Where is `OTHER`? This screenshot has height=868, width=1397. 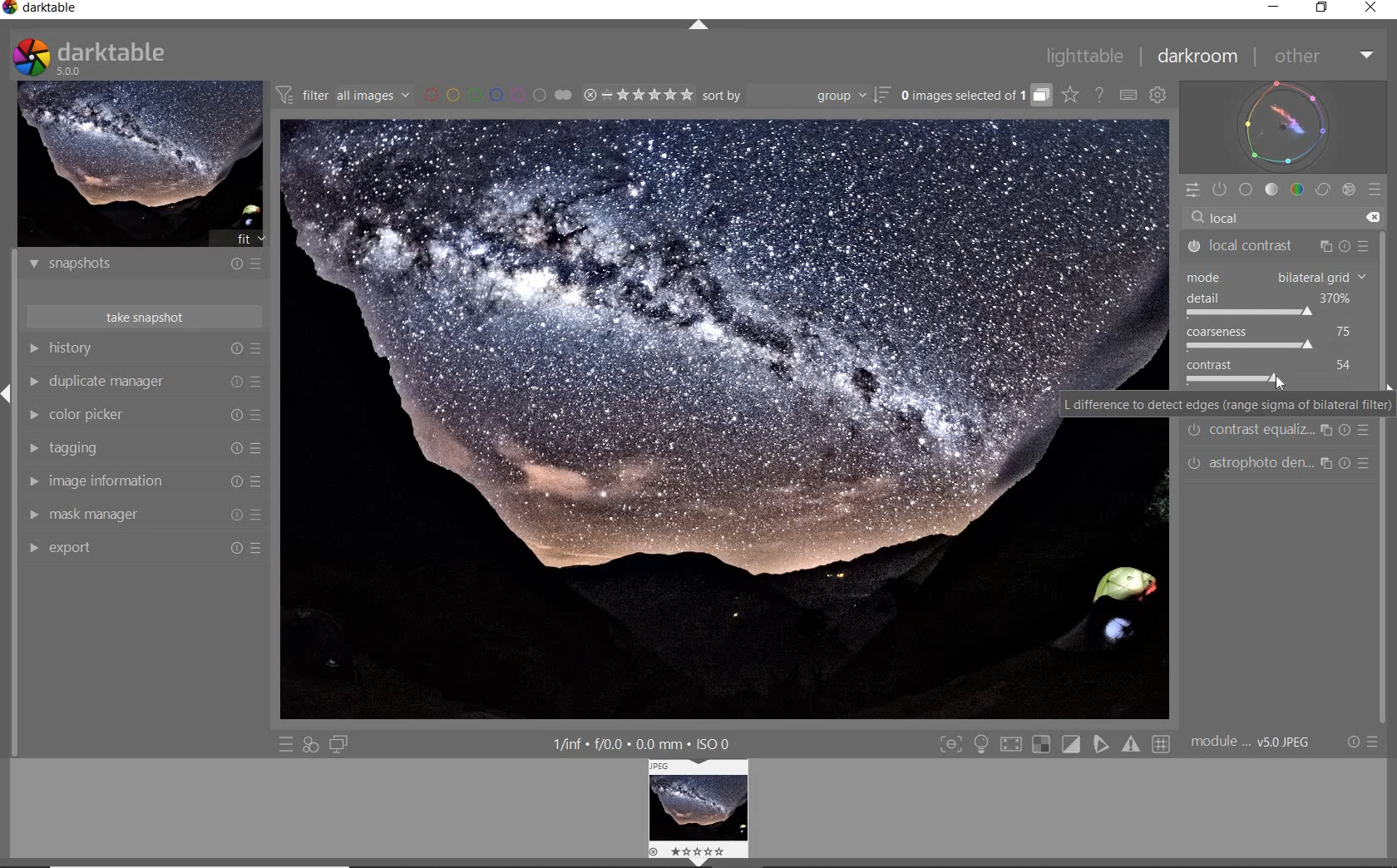 OTHER is located at coordinates (1324, 57).